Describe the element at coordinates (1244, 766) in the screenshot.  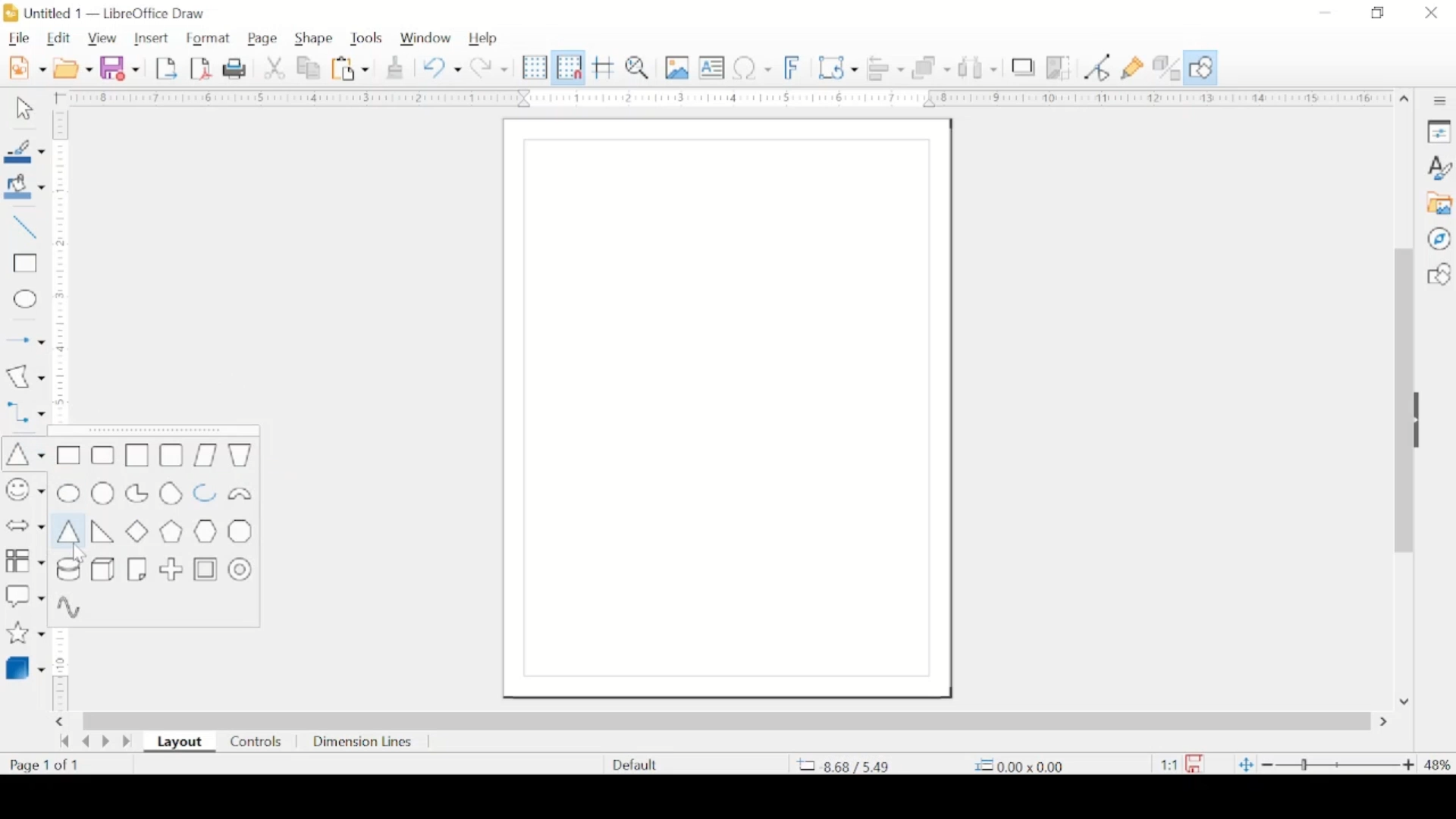
I see `fit to current window` at that location.